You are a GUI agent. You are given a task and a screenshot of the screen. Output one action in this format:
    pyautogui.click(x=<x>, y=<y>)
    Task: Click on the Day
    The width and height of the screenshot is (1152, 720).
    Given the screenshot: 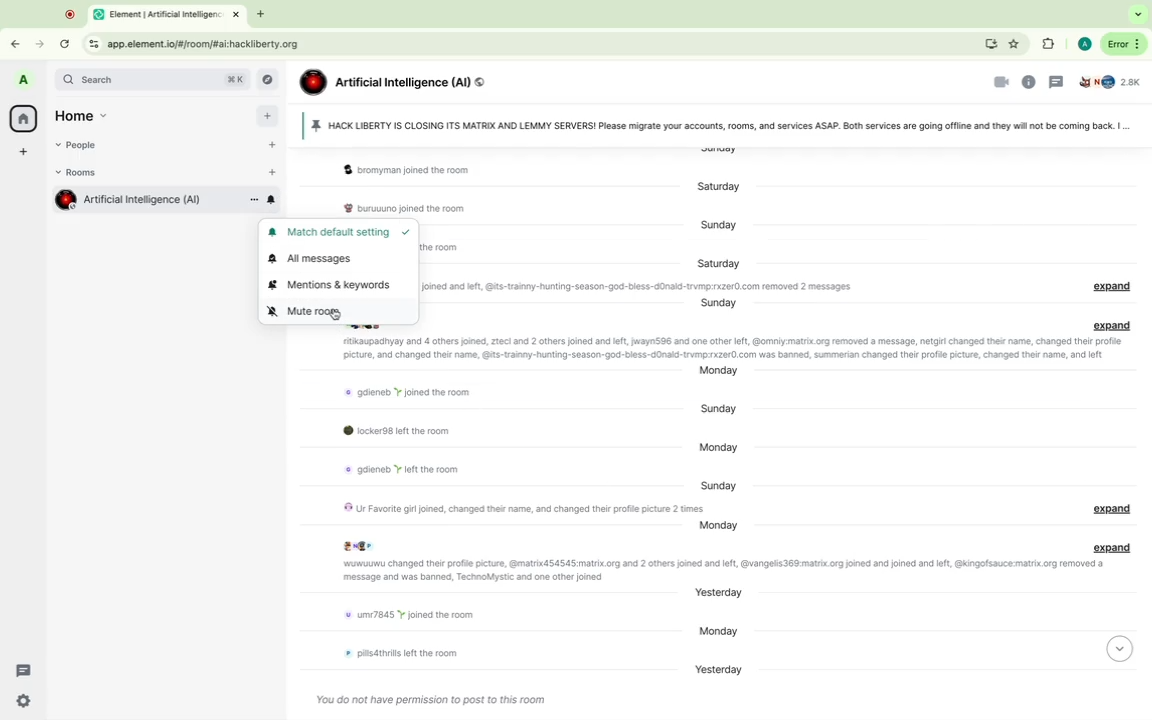 What is the action you would take?
    pyautogui.click(x=717, y=484)
    